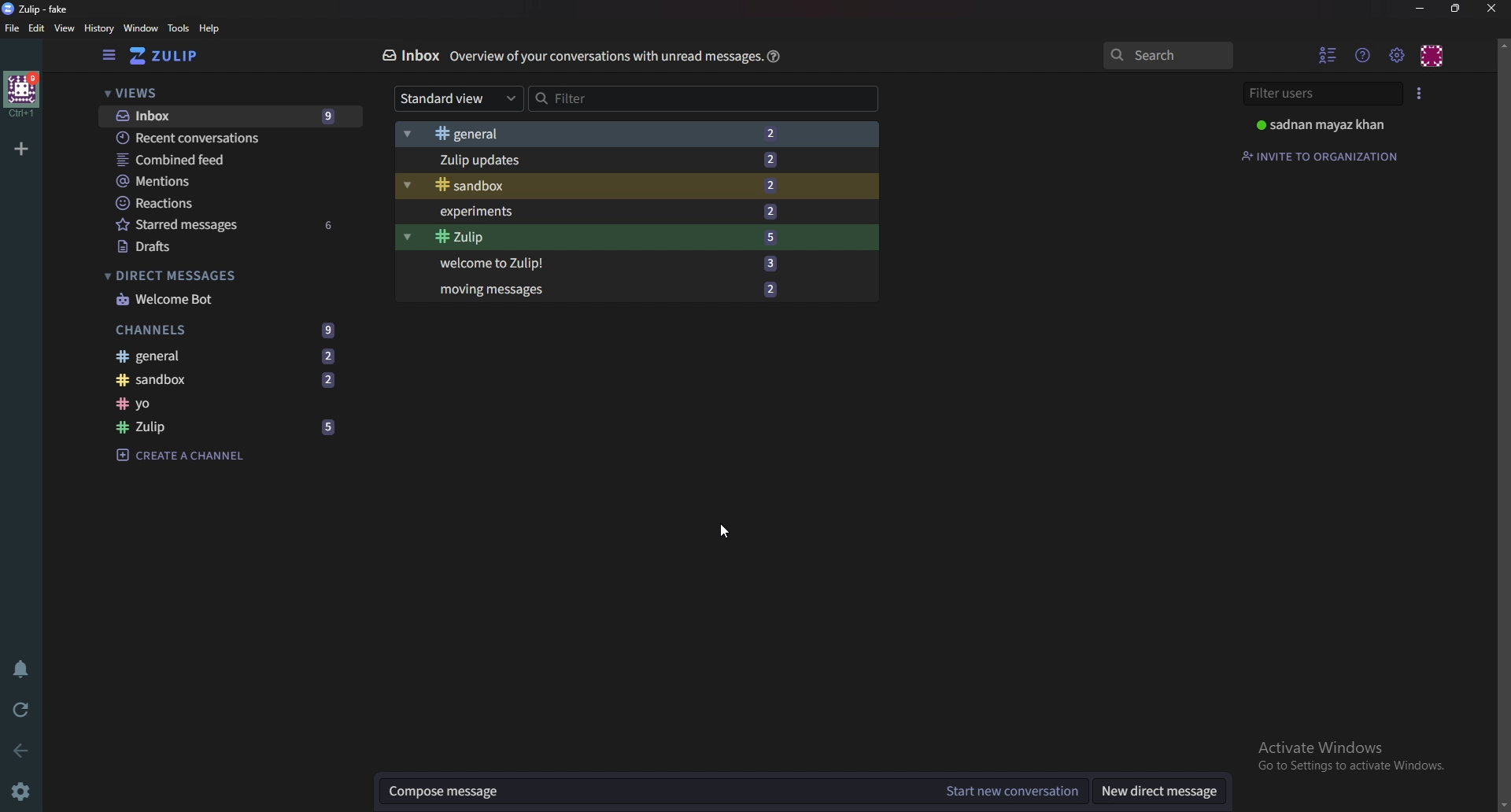 Image resolution: width=1511 pixels, height=812 pixels. What do you see at coordinates (773, 55) in the screenshot?
I see `help` at bounding box center [773, 55].